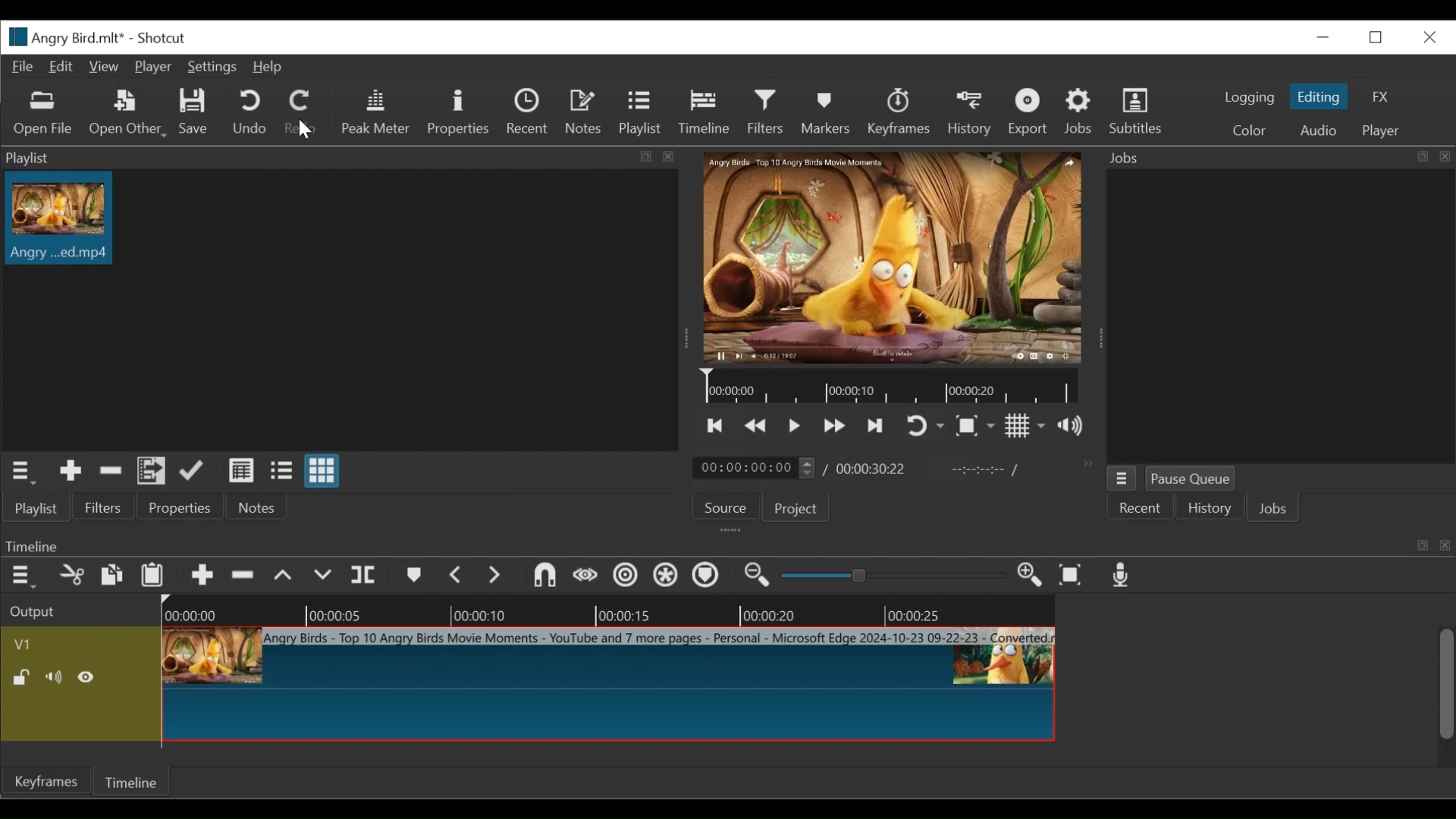 Image resolution: width=1456 pixels, height=819 pixels. Describe the element at coordinates (586, 578) in the screenshot. I see `Scrub while dragging` at that location.